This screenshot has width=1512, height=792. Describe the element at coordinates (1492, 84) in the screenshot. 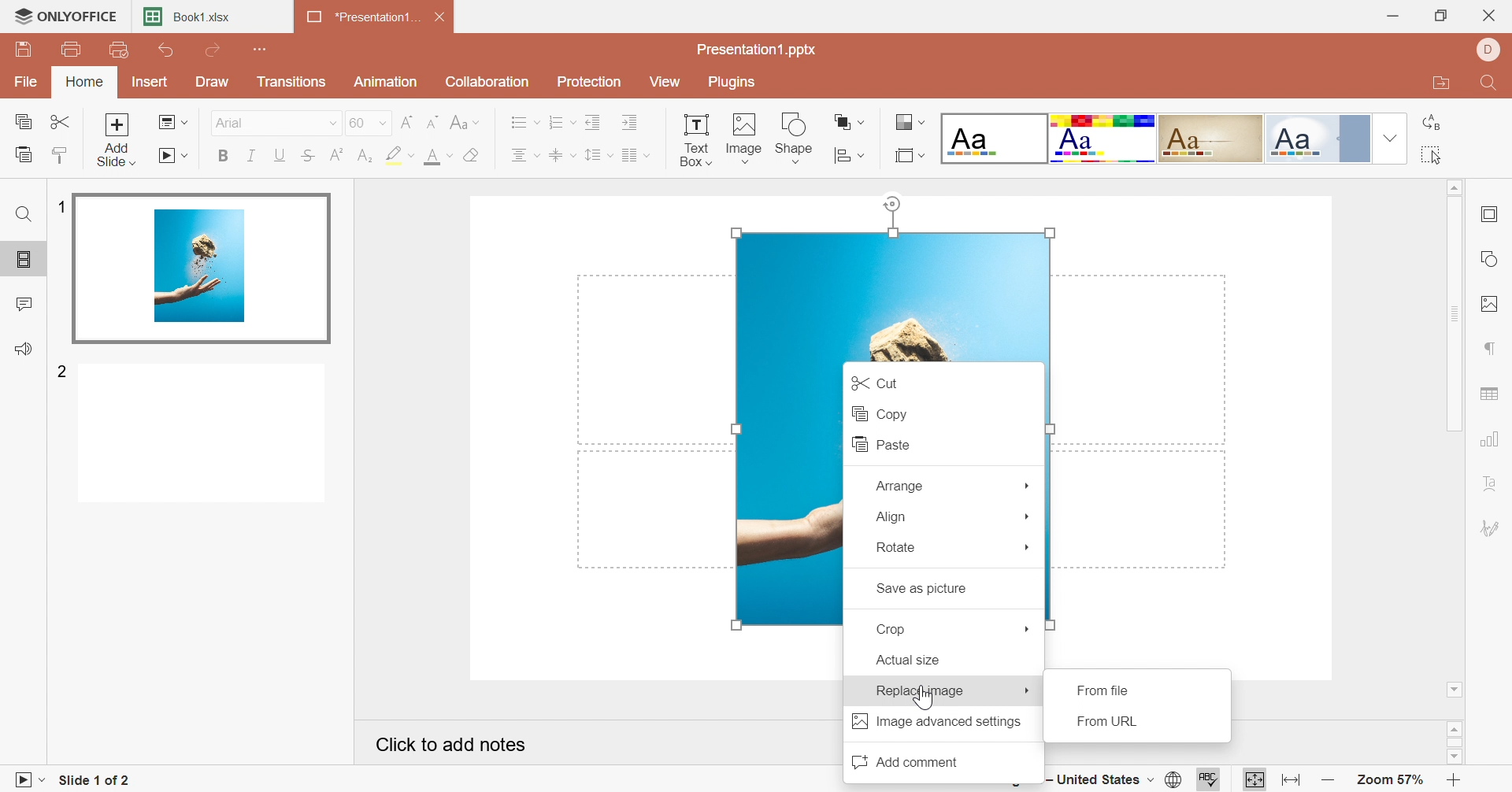

I see `Find` at that location.